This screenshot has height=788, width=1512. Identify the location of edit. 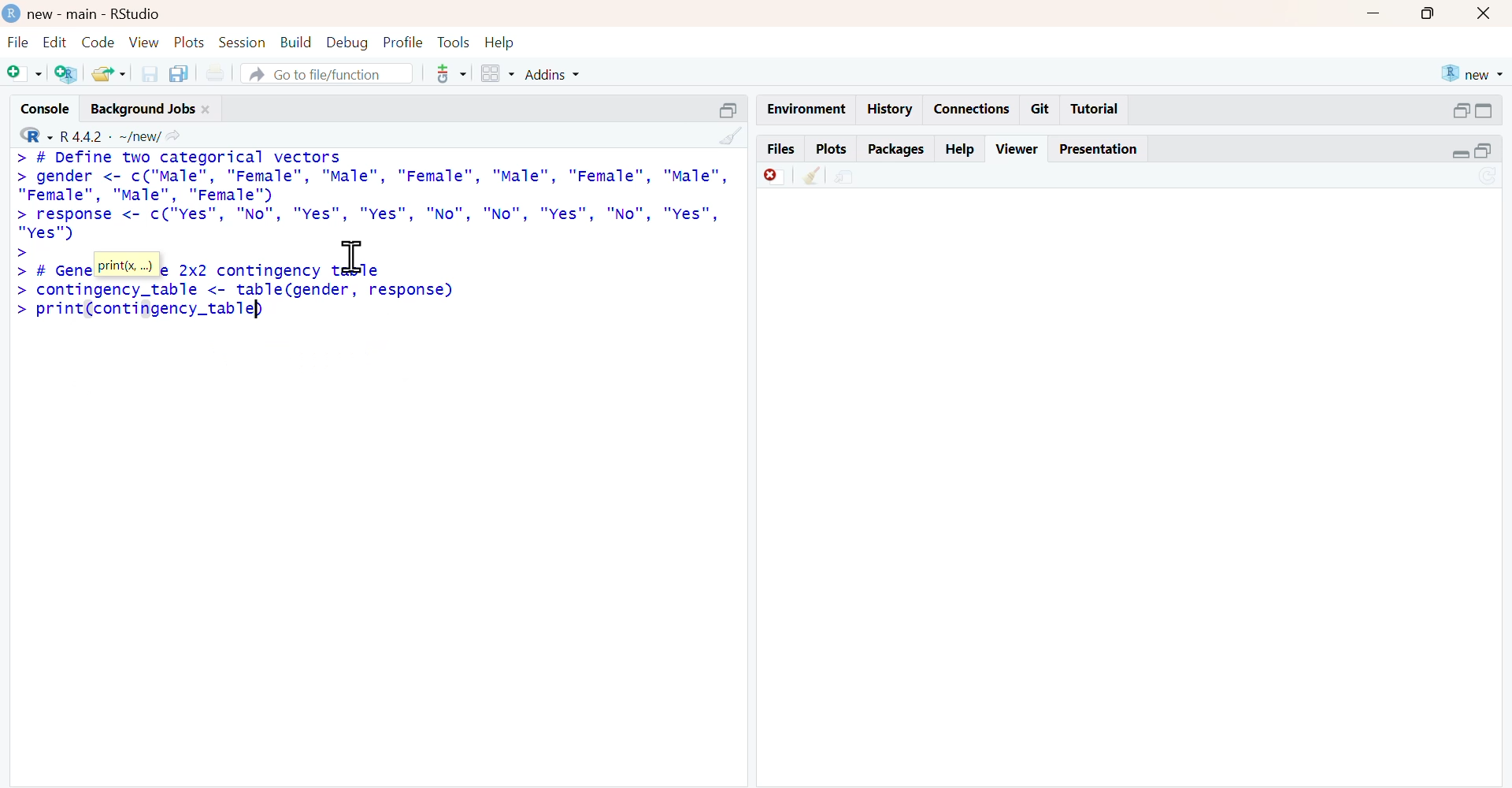
(57, 43).